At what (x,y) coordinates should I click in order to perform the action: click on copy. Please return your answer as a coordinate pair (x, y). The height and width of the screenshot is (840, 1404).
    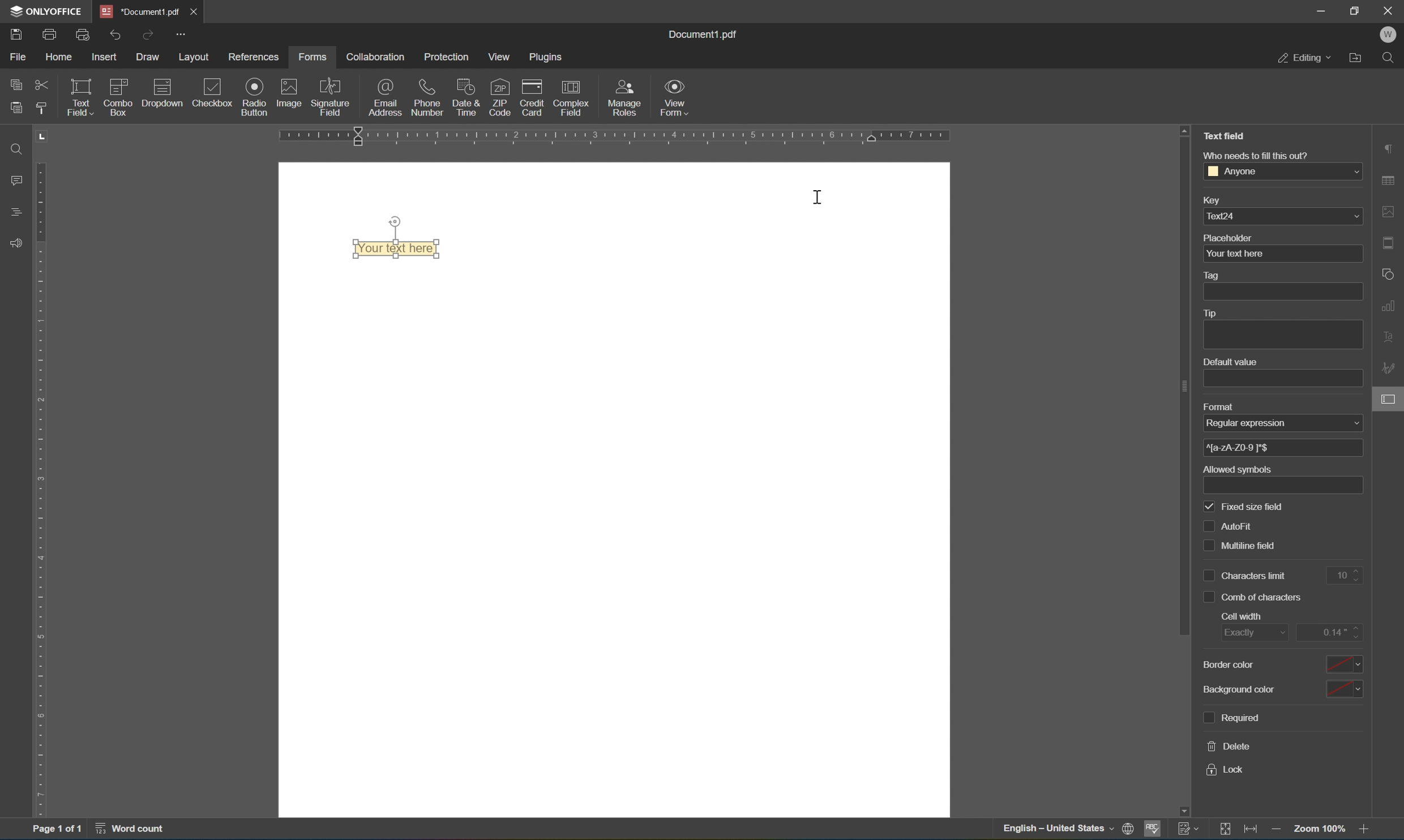
    Looking at the image, I should click on (16, 82).